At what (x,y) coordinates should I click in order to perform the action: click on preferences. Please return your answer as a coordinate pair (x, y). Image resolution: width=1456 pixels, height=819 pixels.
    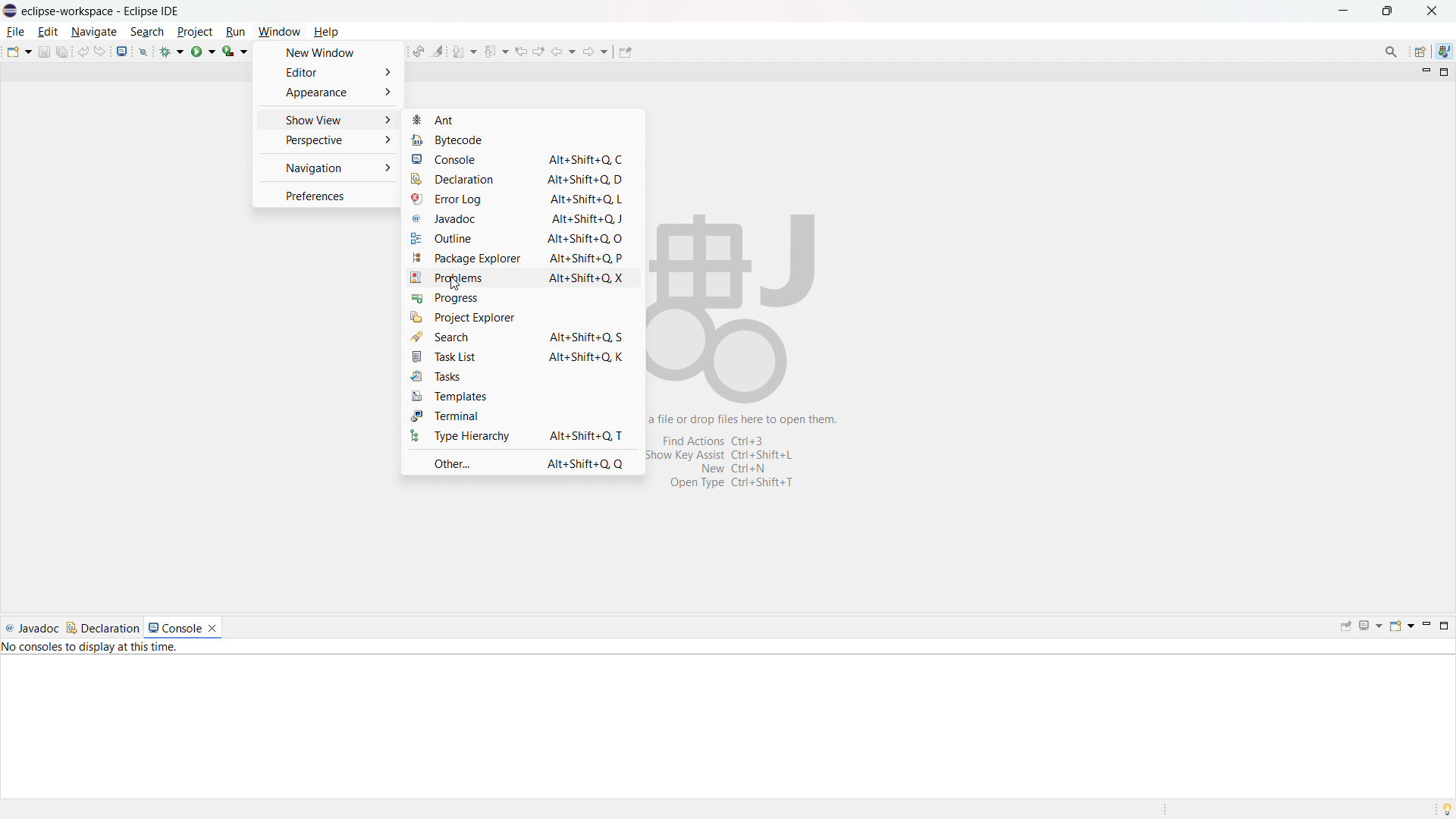
    Looking at the image, I should click on (325, 196).